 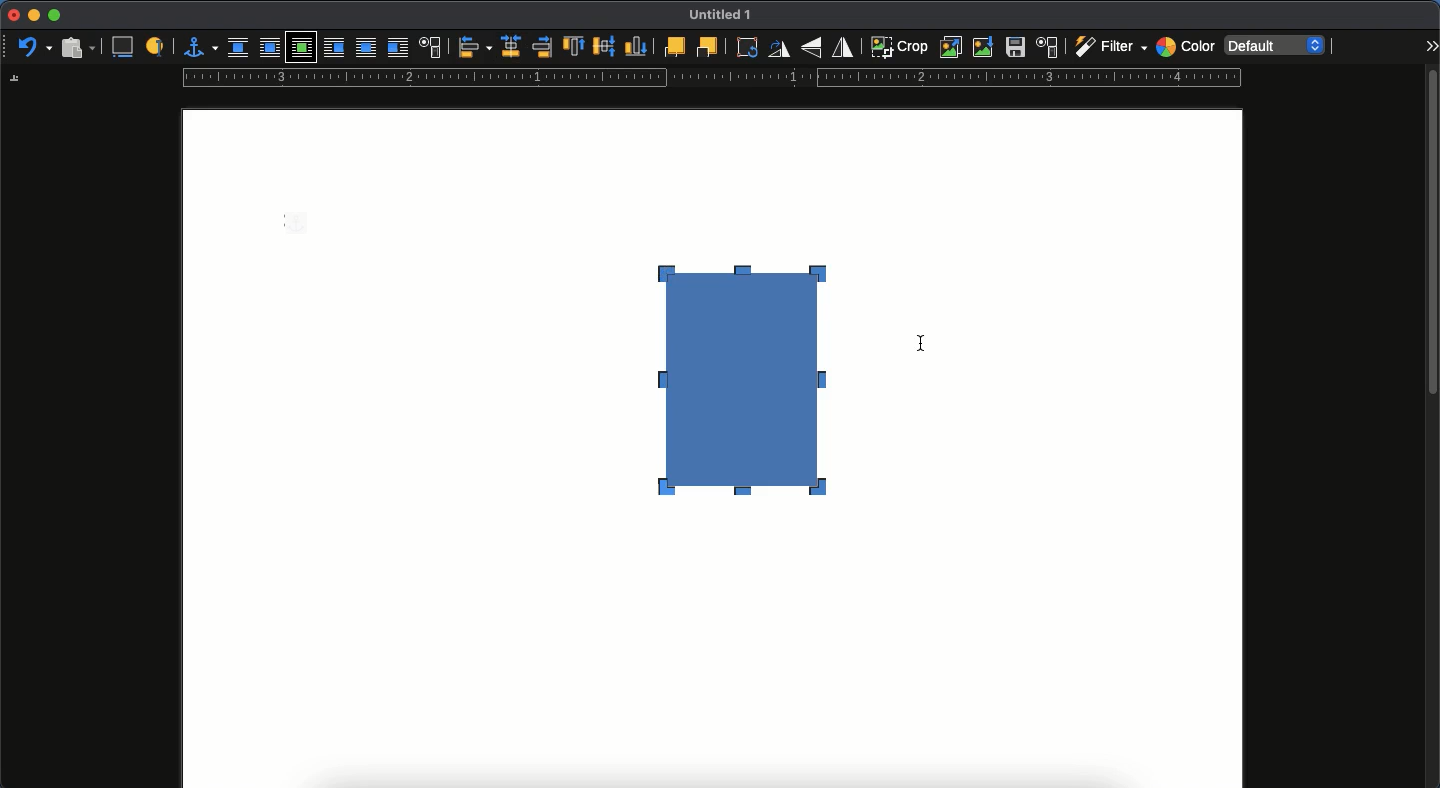 I want to click on minimize, so click(x=33, y=15).